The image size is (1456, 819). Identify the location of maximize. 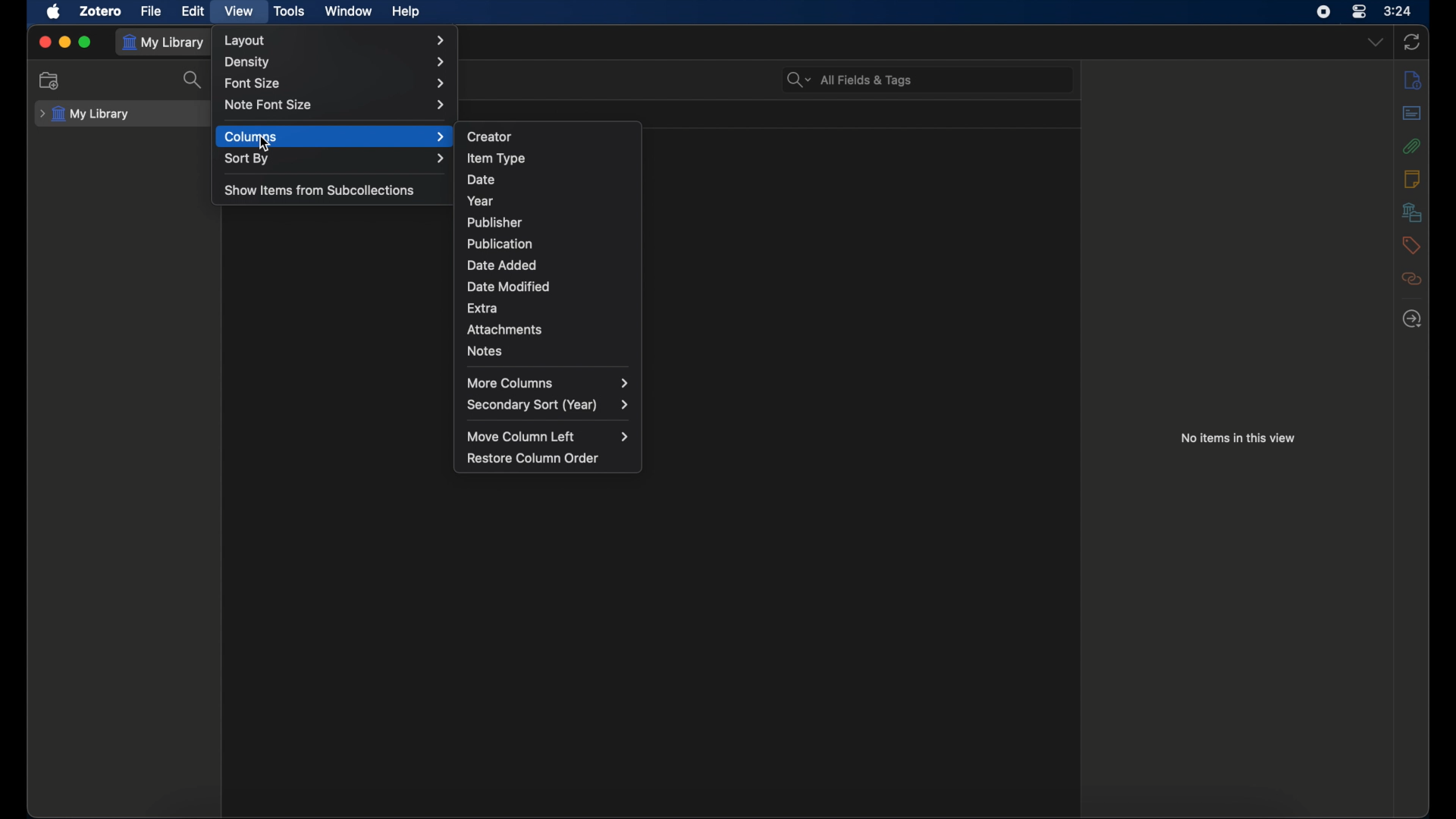
(86, 42).